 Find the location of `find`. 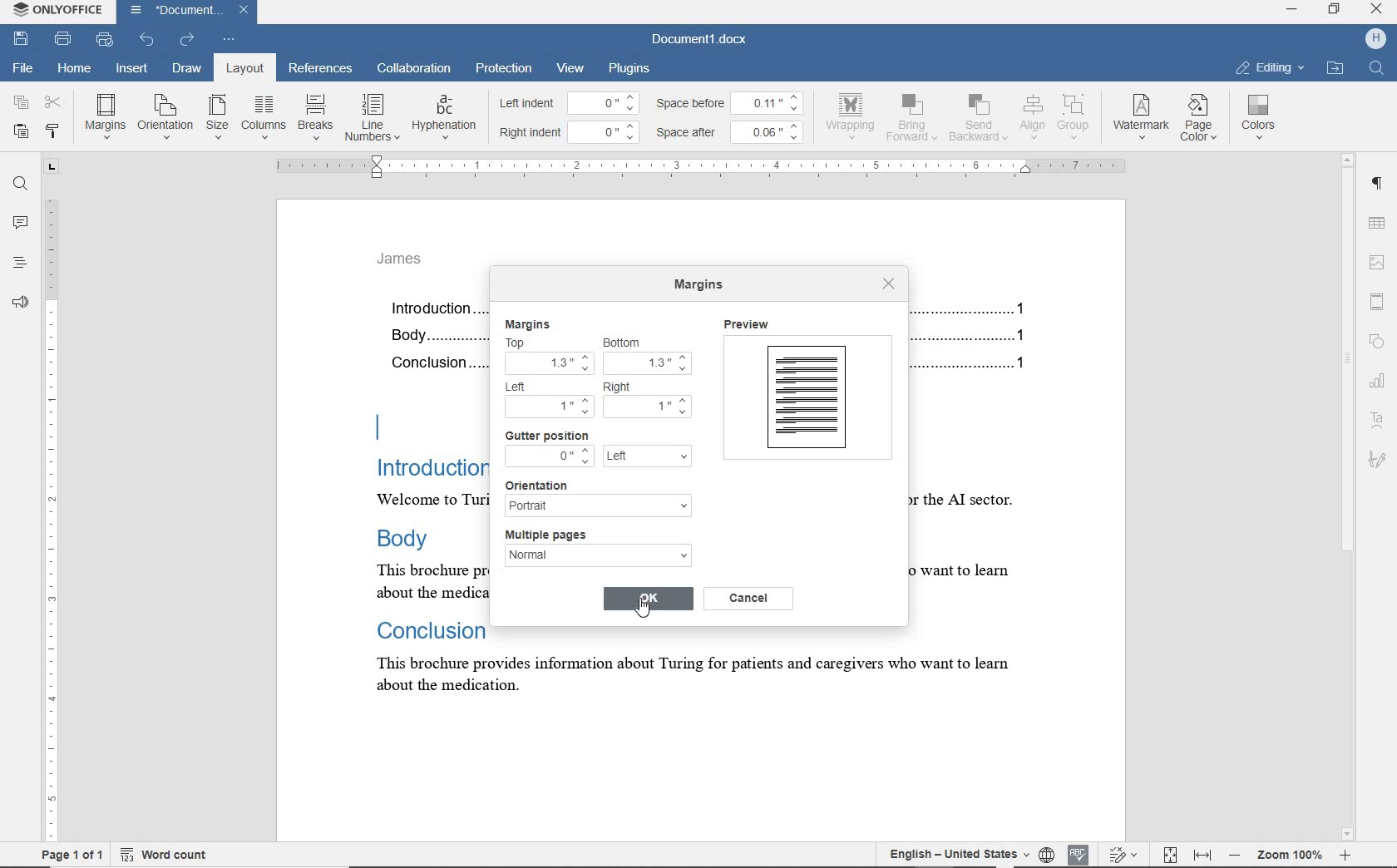

find is located at coordinates (21, 186).